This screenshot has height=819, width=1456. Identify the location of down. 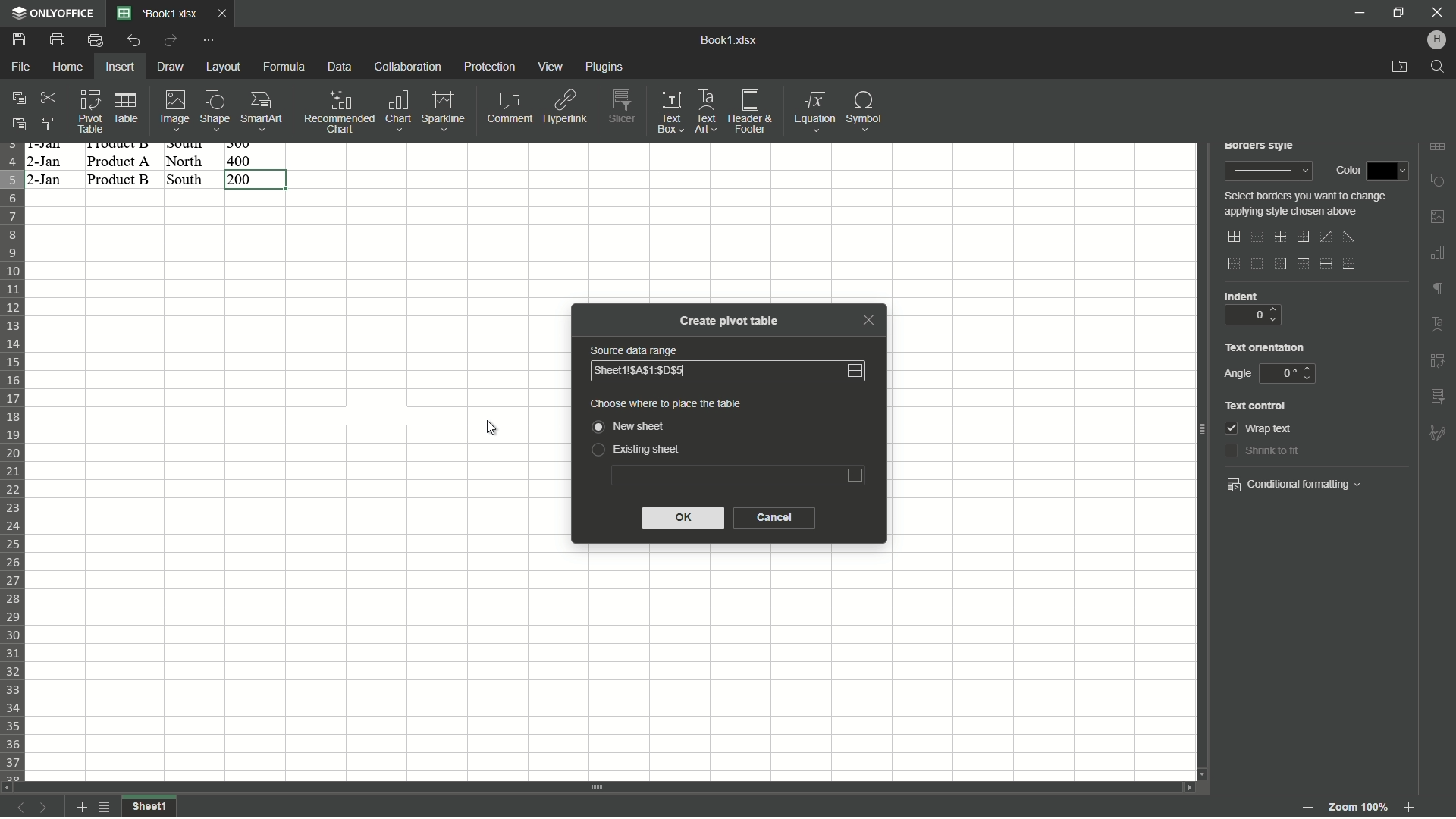
(1310, 379).